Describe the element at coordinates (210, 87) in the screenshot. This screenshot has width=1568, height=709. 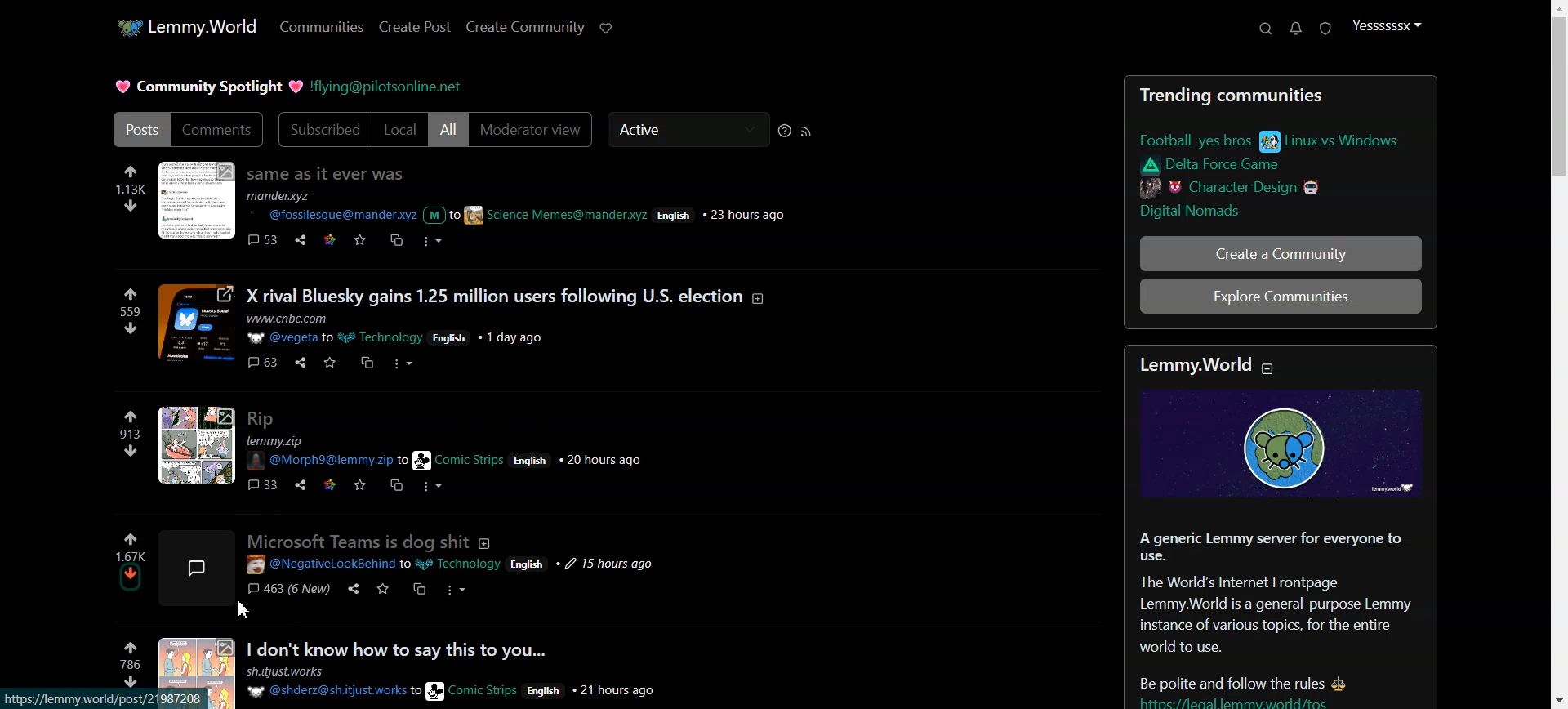
I see `Text` at that location.